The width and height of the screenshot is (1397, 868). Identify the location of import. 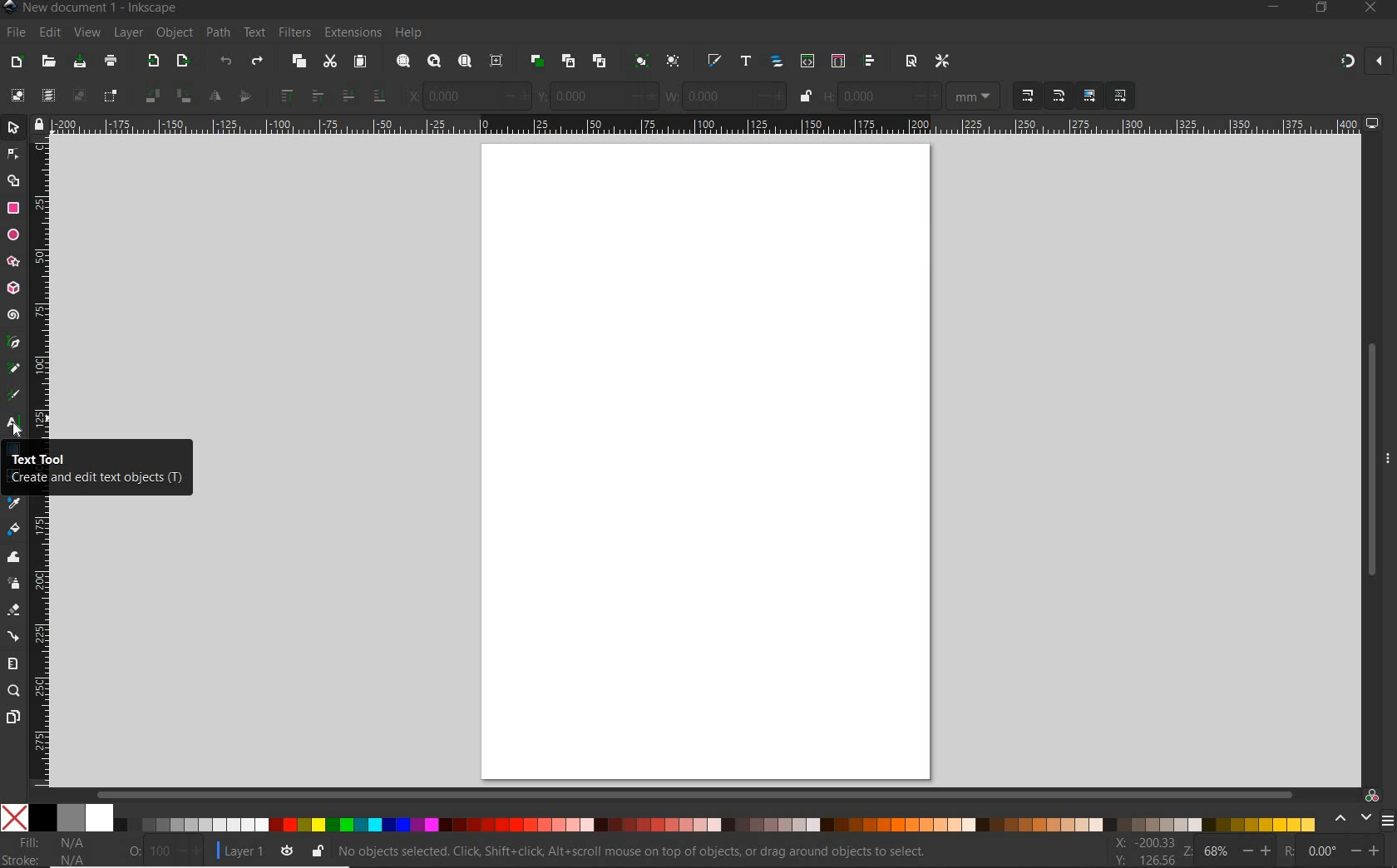
(152, 62).